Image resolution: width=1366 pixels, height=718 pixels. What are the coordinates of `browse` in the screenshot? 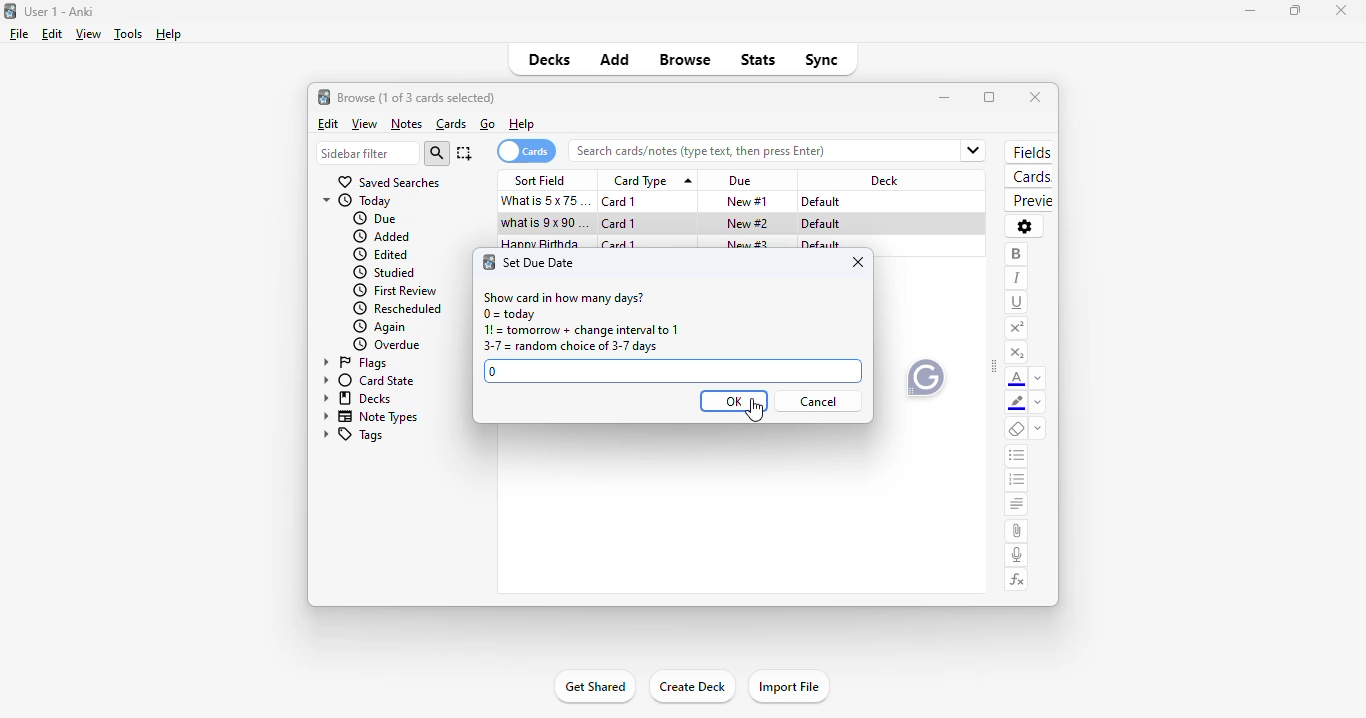 It's located at (684, 59).